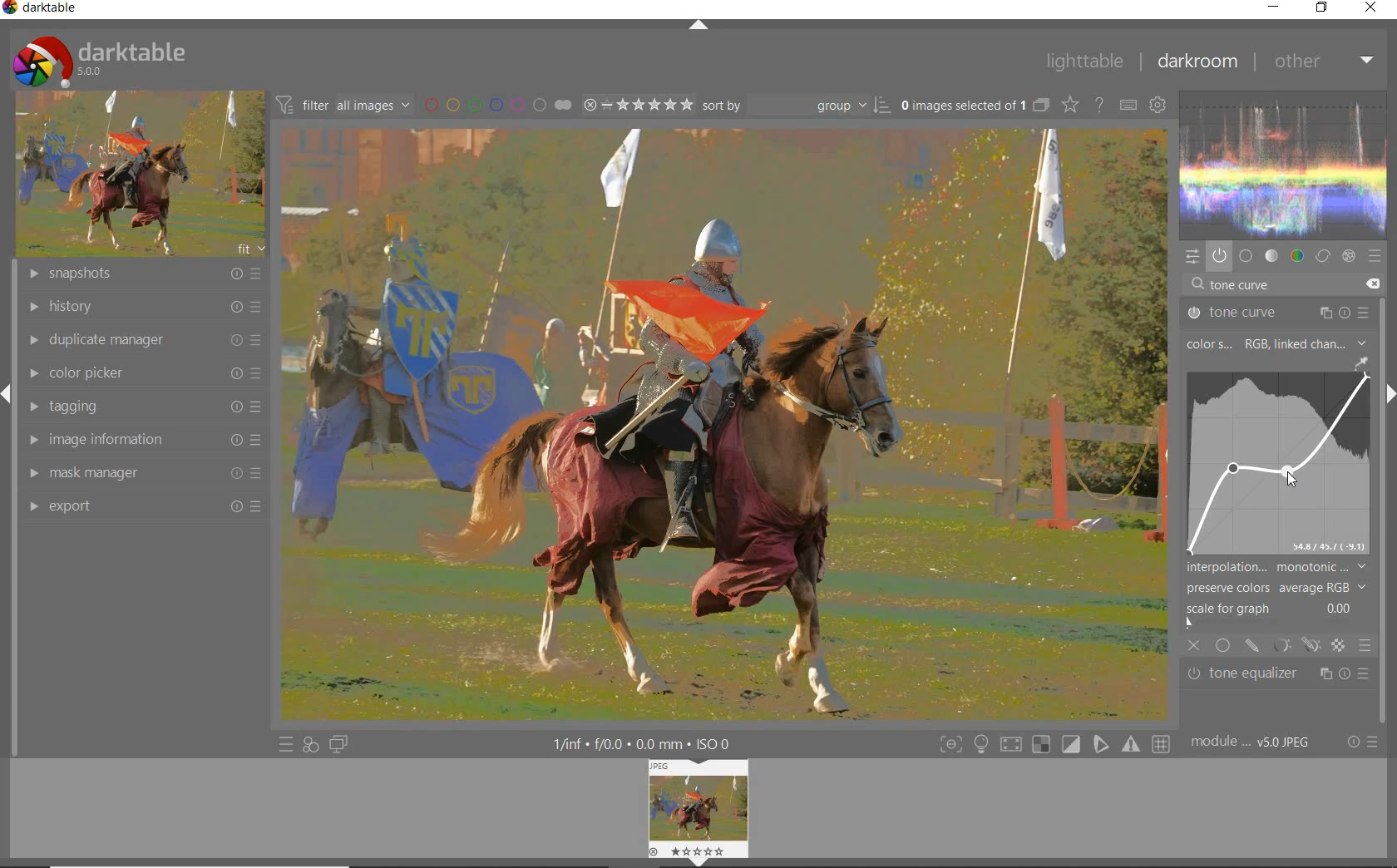 The height and width of the screenshot is (868, 1397). I want to click on delete, so click(1371, 283).